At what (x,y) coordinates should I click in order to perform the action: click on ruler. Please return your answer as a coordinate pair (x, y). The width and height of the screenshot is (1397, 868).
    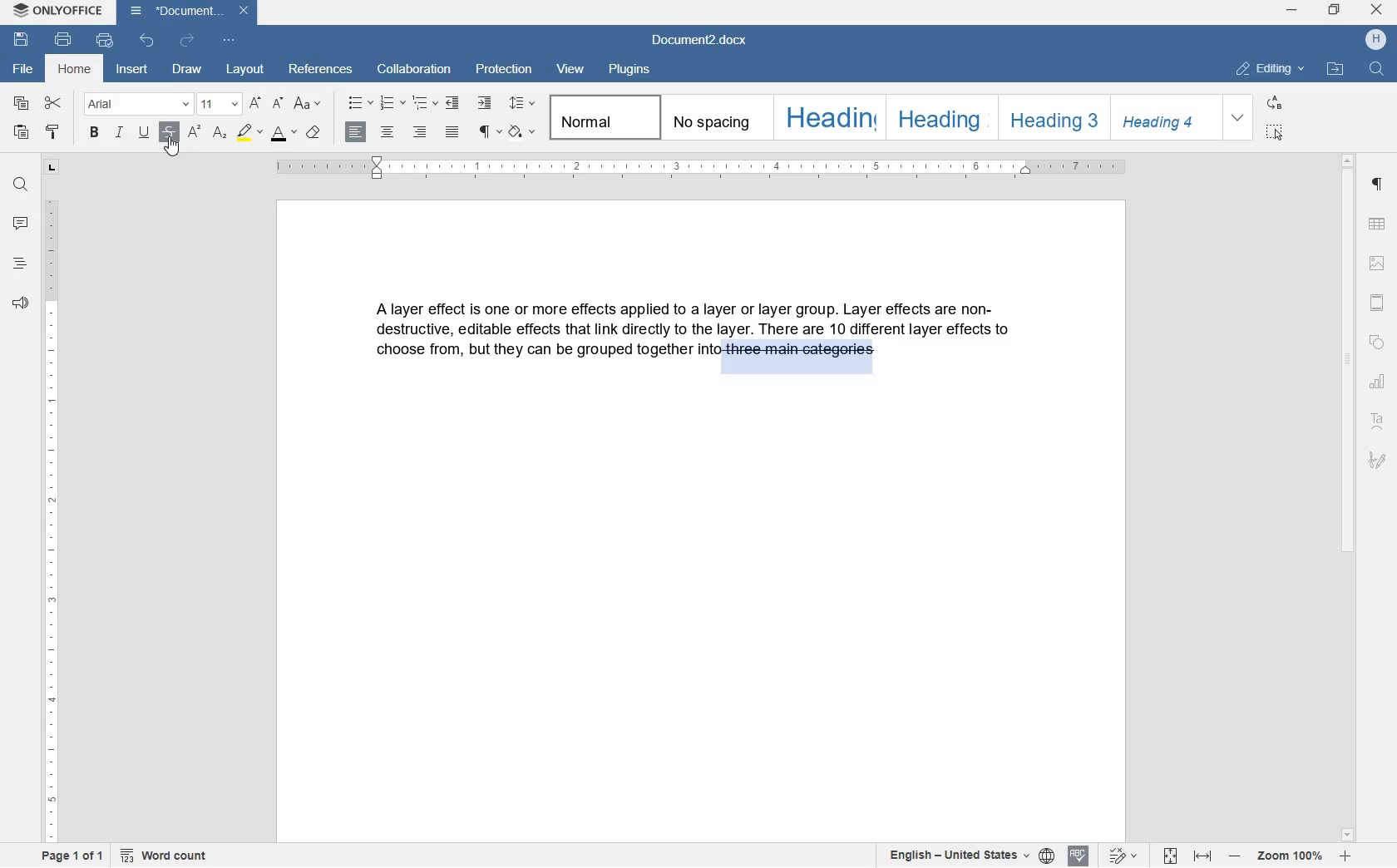
    Looking at the image, I should click on (707, 170).